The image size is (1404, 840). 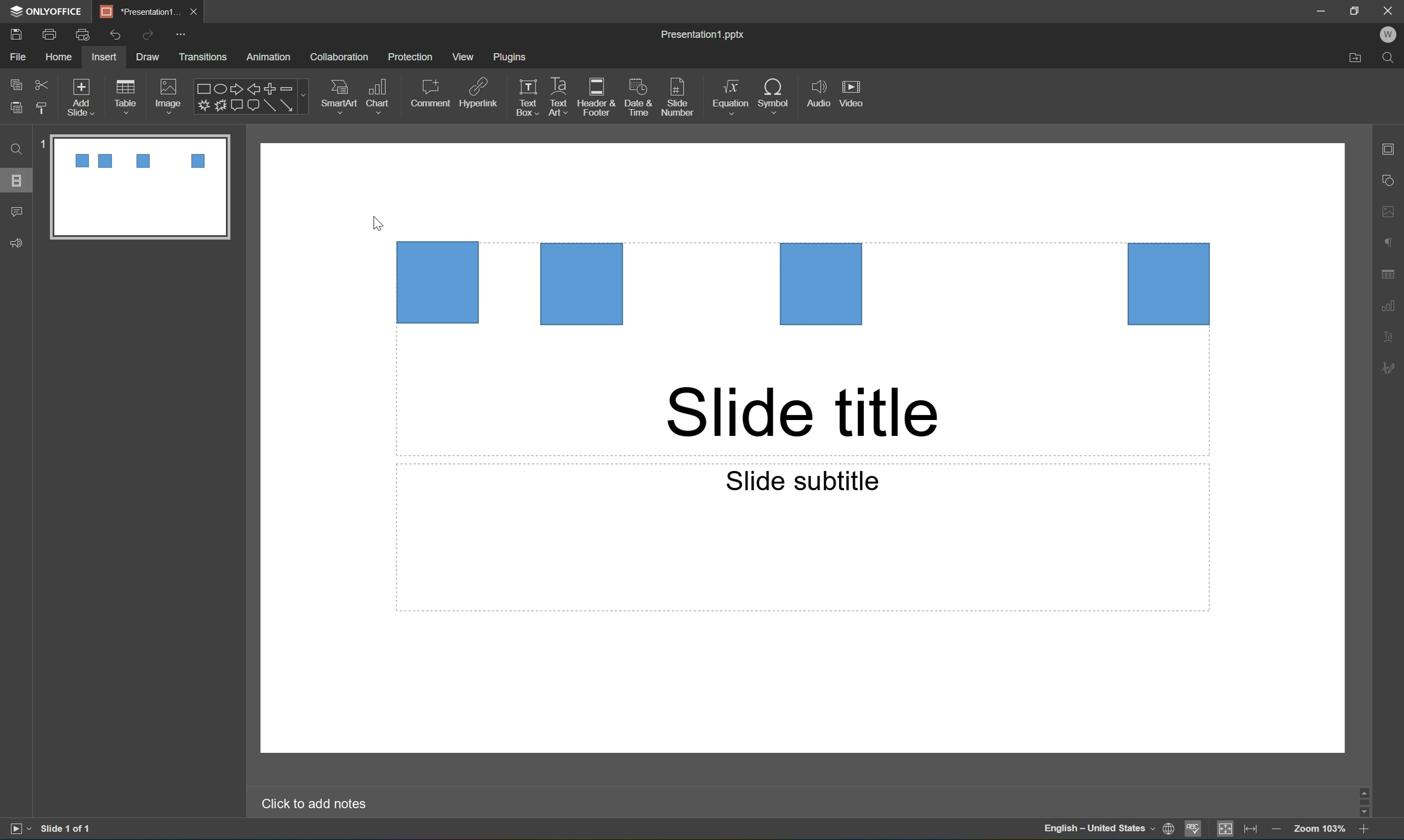 I want to click on slide subtitle, so click(x=801, y=480).